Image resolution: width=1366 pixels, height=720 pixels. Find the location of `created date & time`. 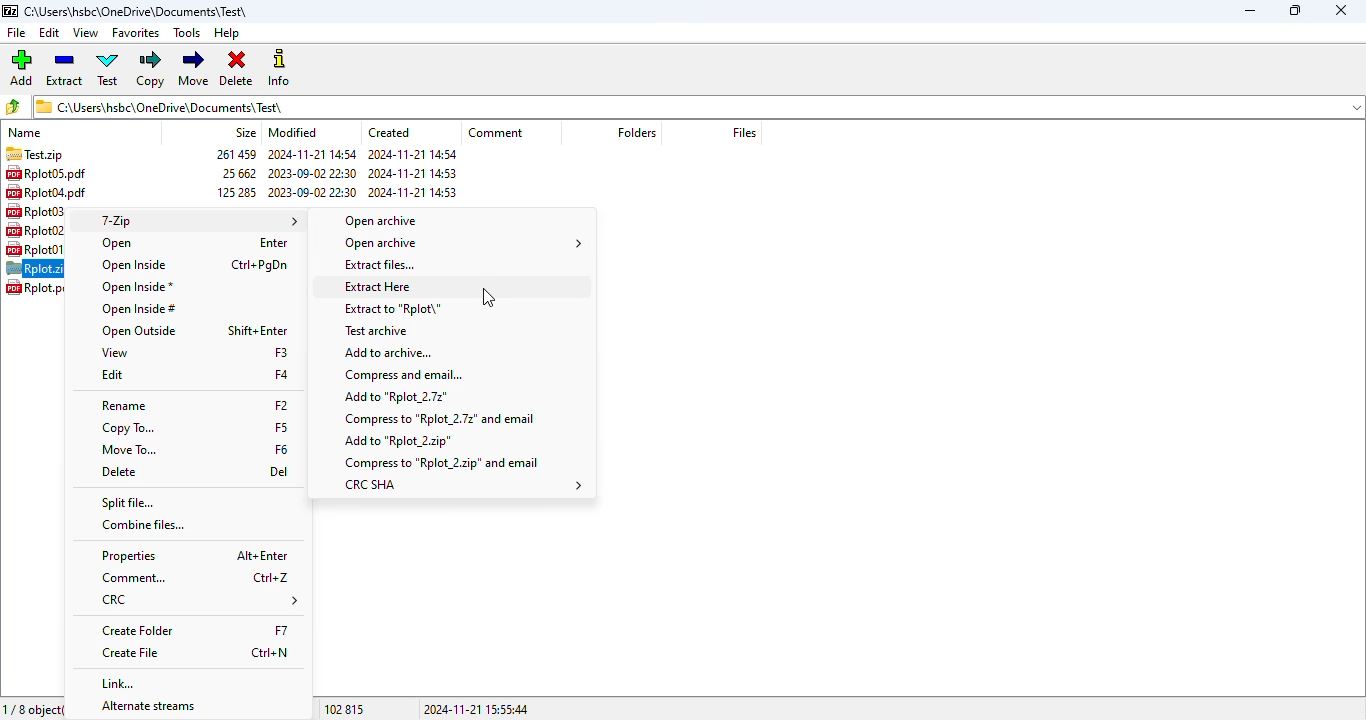

created date & time is located at coordinates (417, 175).